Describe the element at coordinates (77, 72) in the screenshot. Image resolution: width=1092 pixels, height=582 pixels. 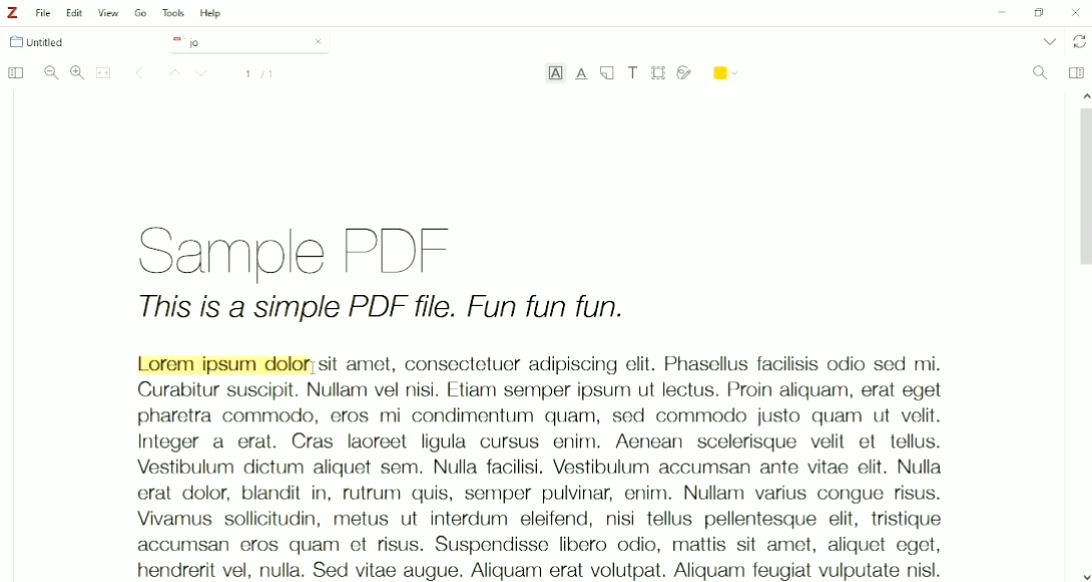
I see `Zoom In` at that location.